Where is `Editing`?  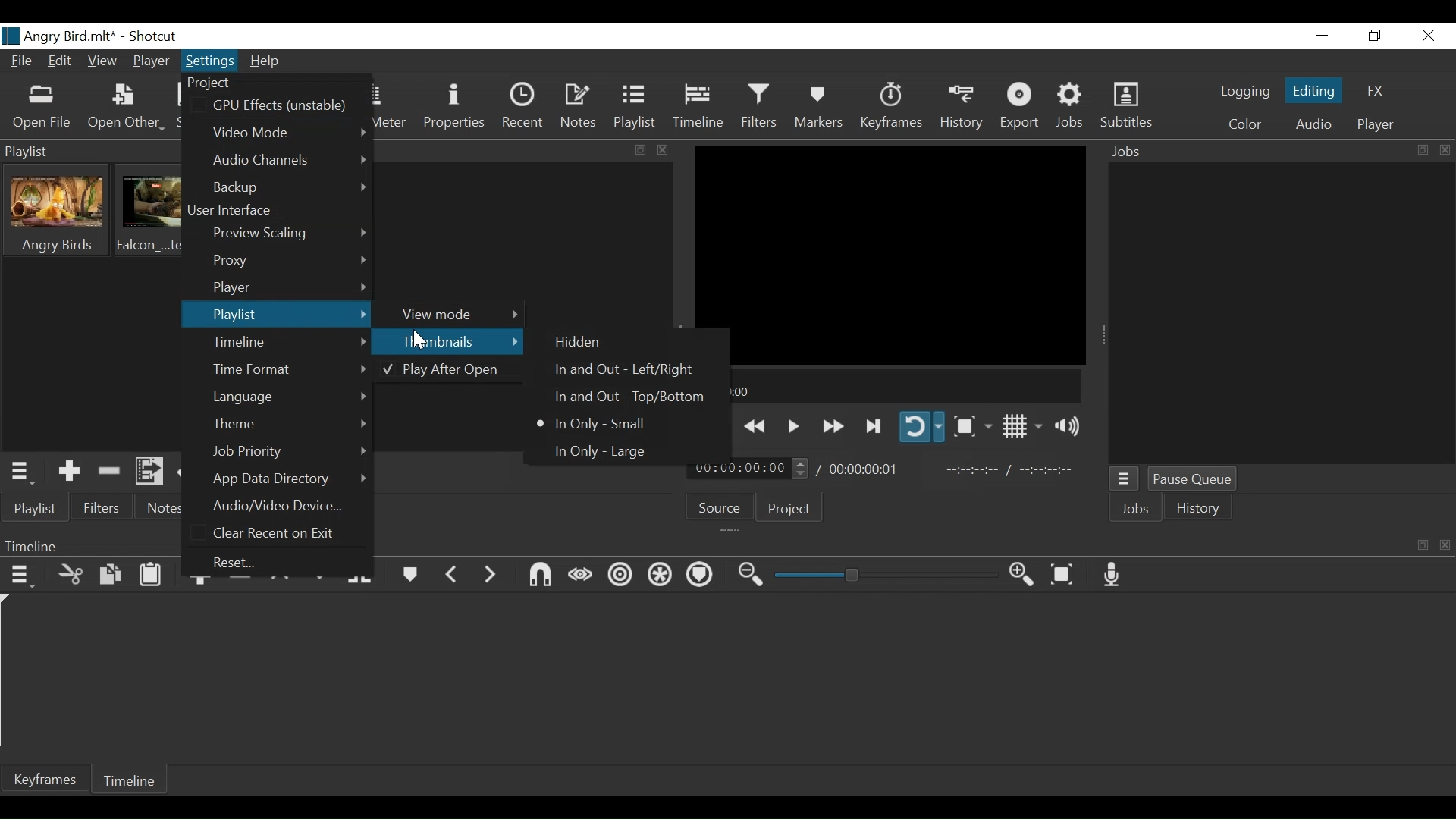
Editing is located at coordinates (1314, 91).